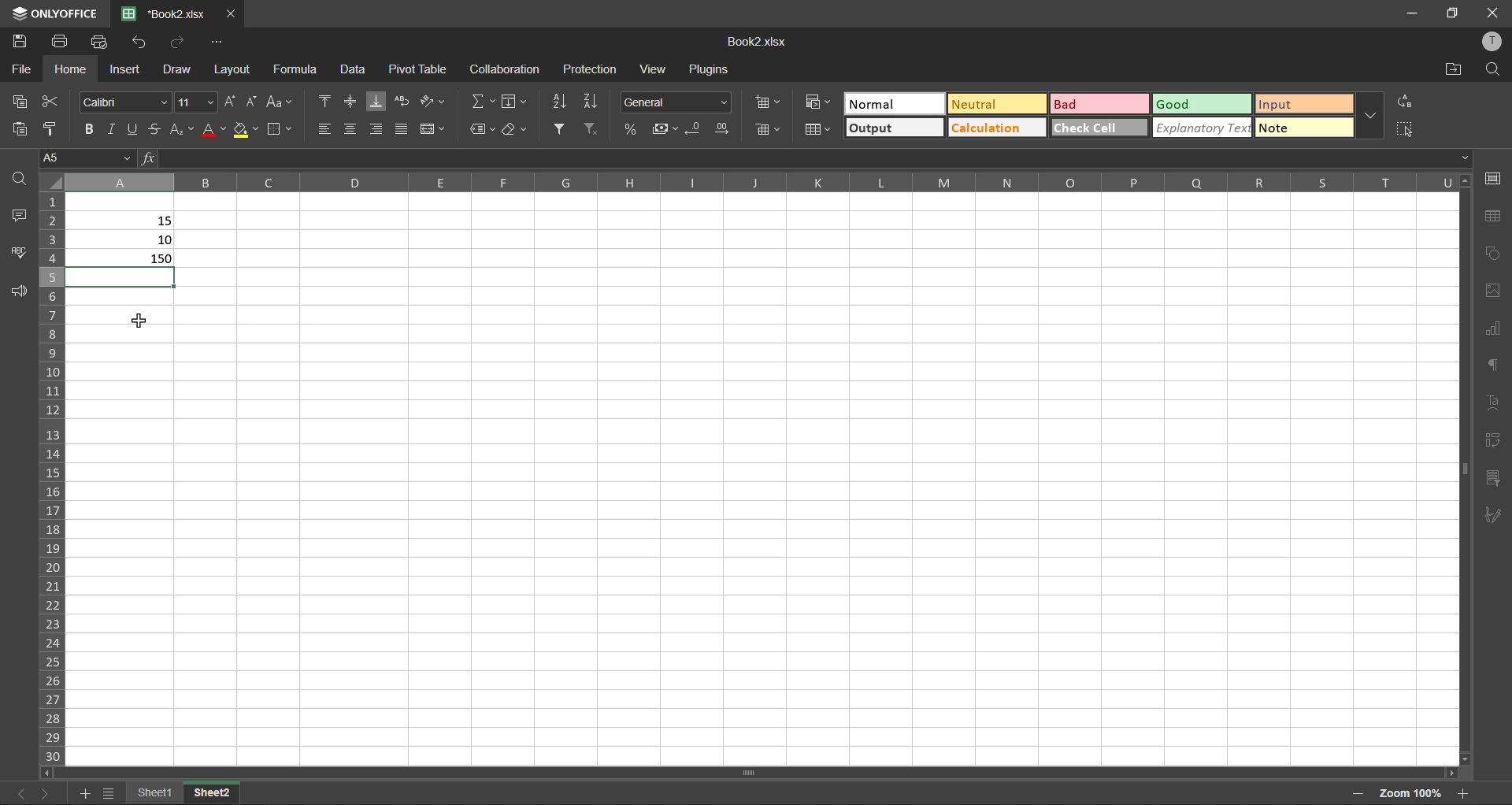  I want to click on more options, so click(1374, 117).